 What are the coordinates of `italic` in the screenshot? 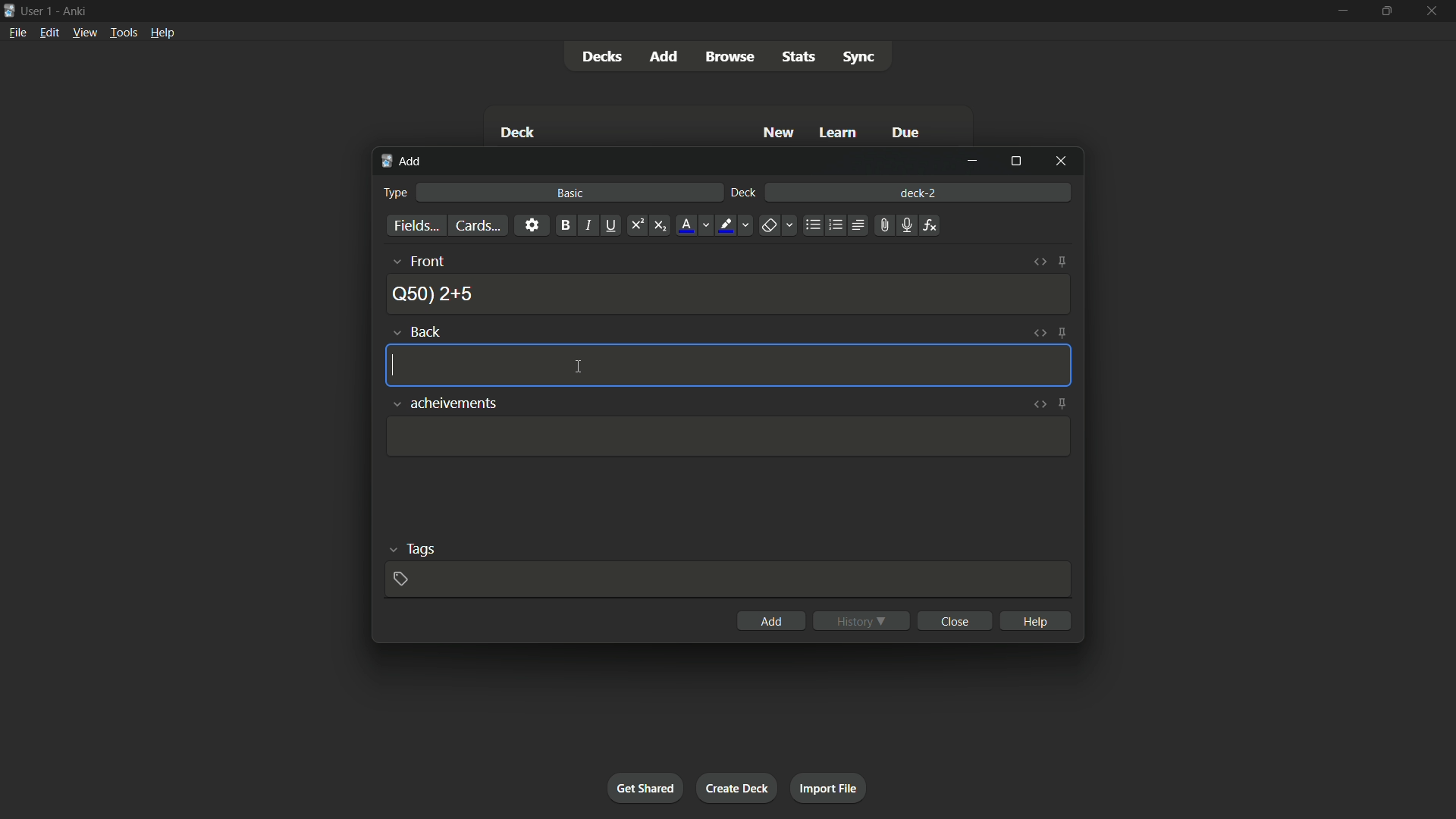 It's located at (588, 225).